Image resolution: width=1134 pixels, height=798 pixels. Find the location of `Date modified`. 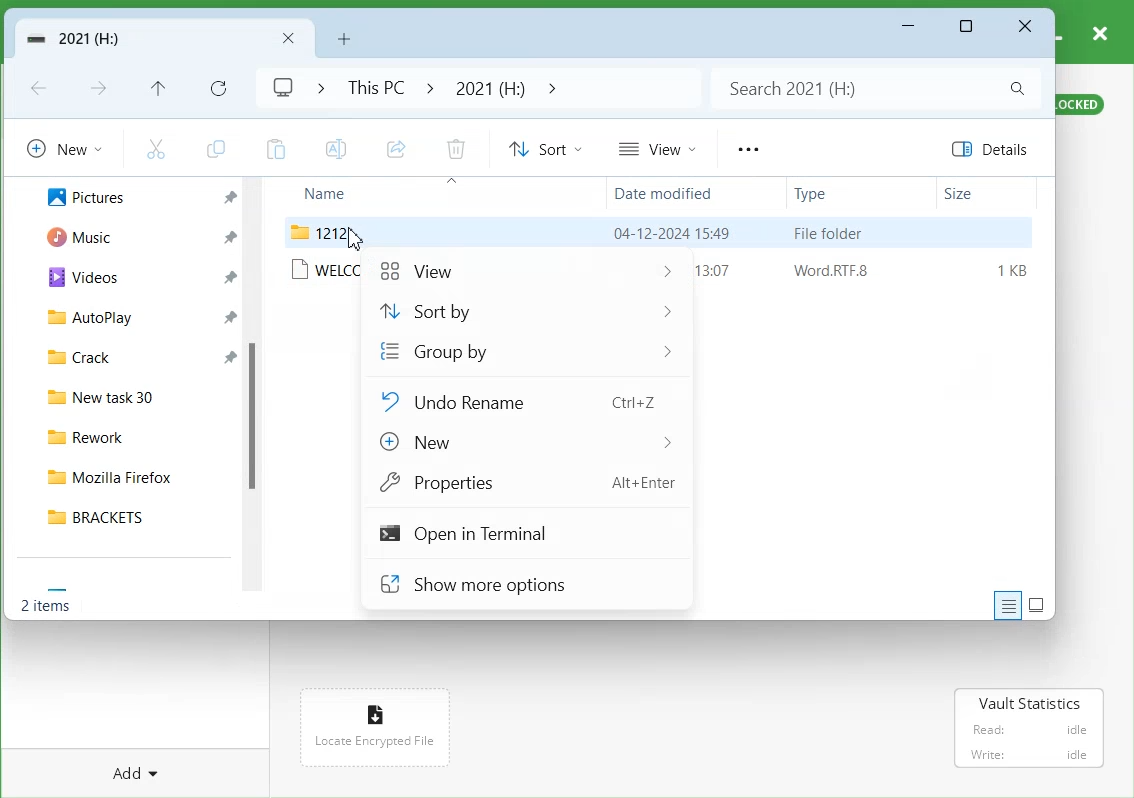

Date modified is located at coordinates (669, 195).